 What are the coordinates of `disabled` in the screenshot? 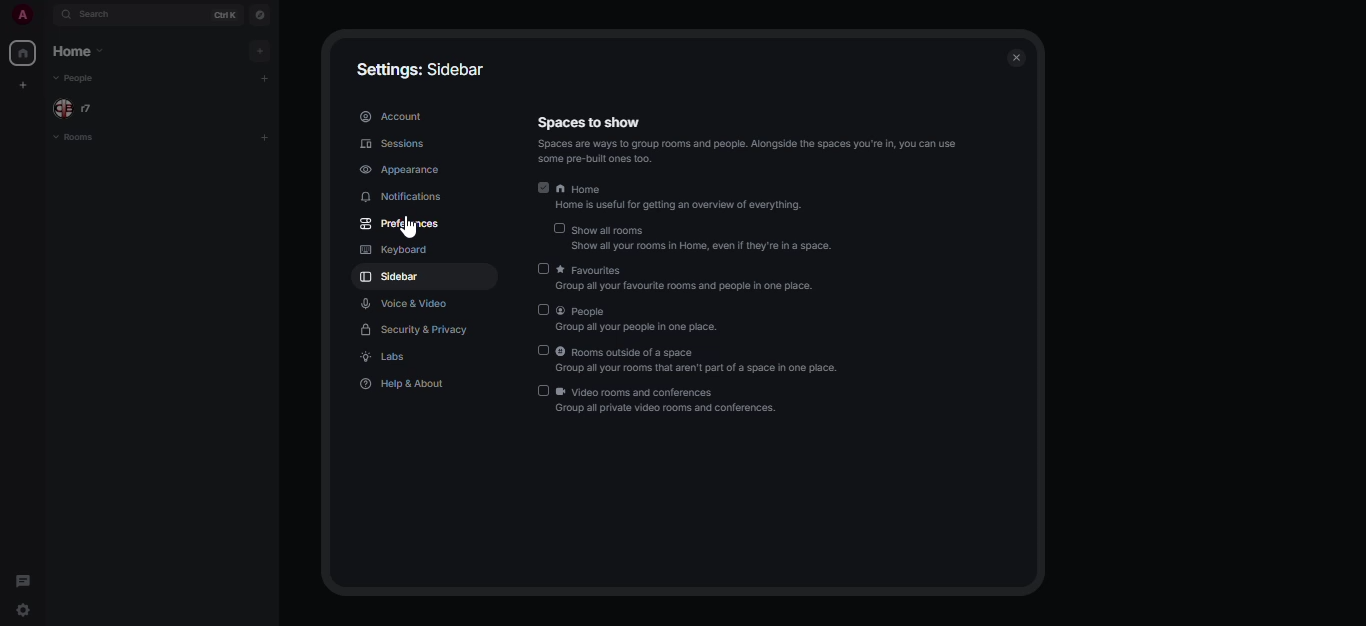 It's located at (542, 350).